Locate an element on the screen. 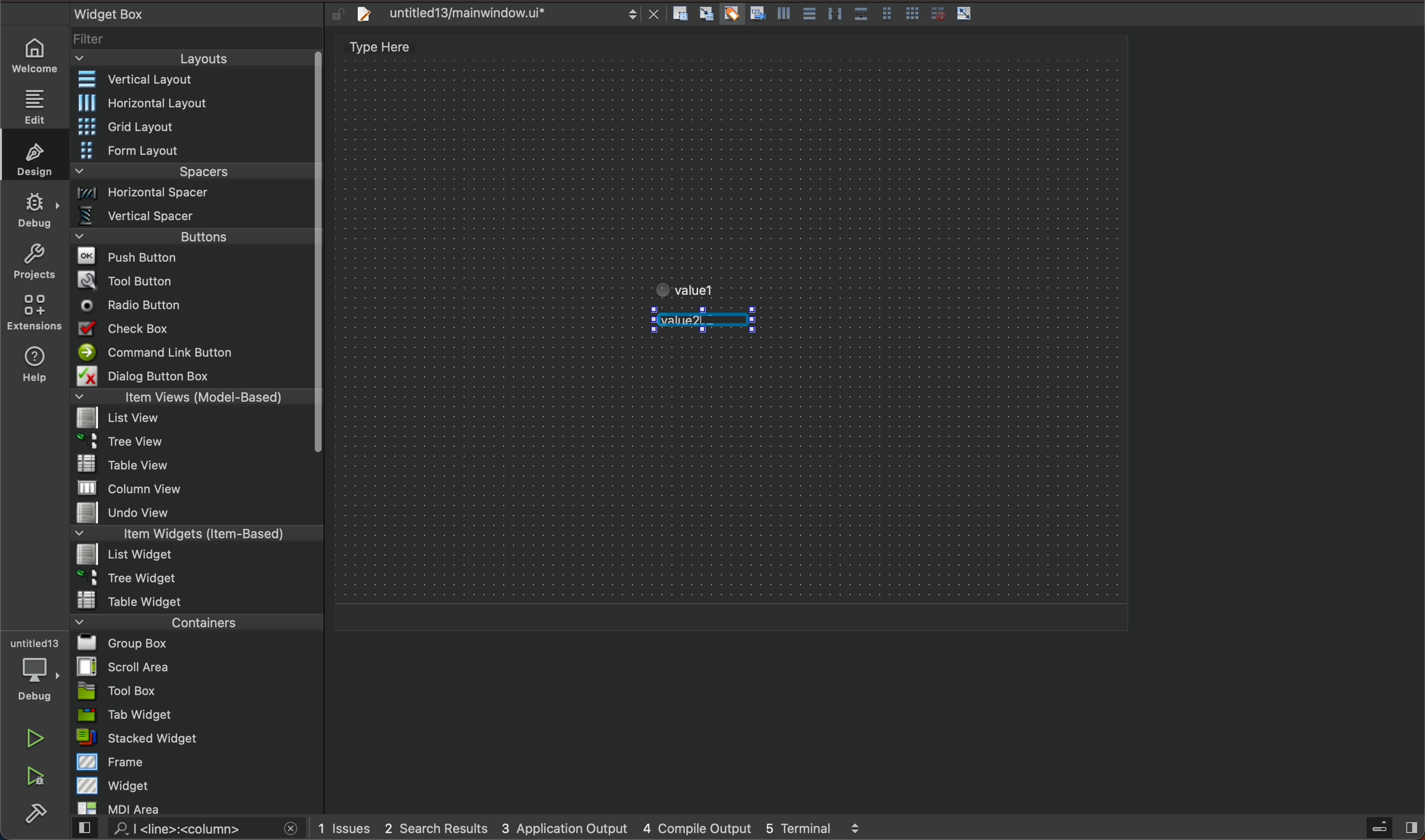 The image size is (1425, 840). tree widget is located at coordinates (198, 579).